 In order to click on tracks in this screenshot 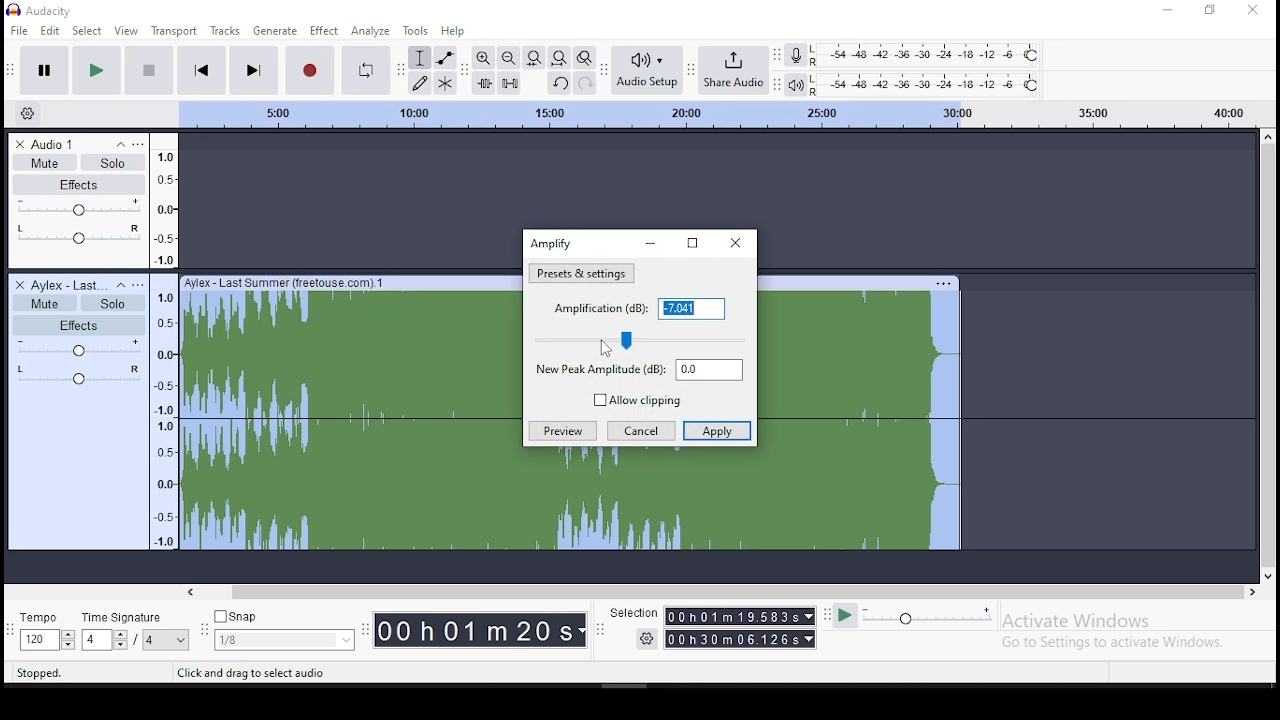, I will do `click(226, 30)`.